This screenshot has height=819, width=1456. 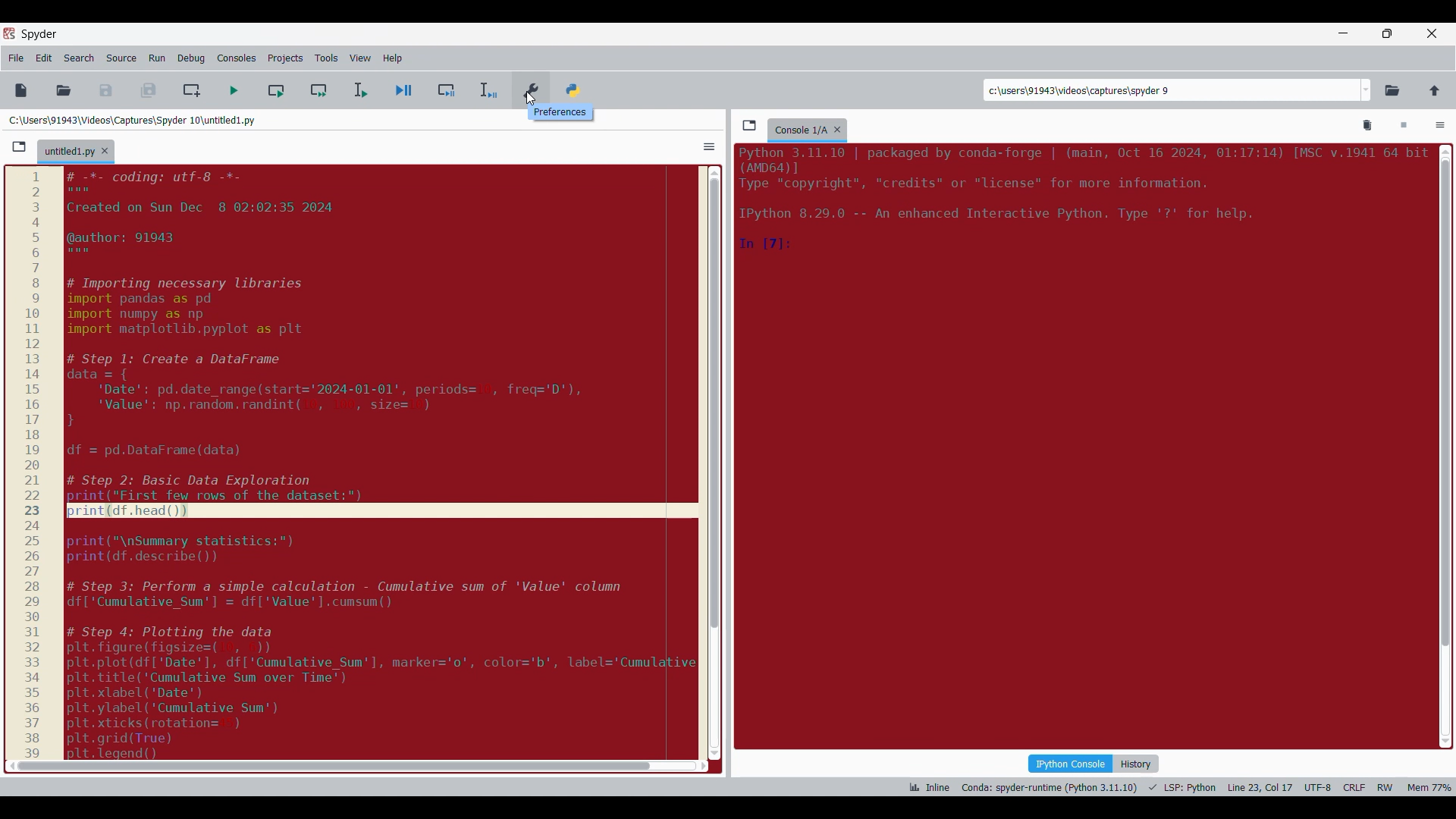 I want to click on Debug selection/current line, so click(x=487, y=90).